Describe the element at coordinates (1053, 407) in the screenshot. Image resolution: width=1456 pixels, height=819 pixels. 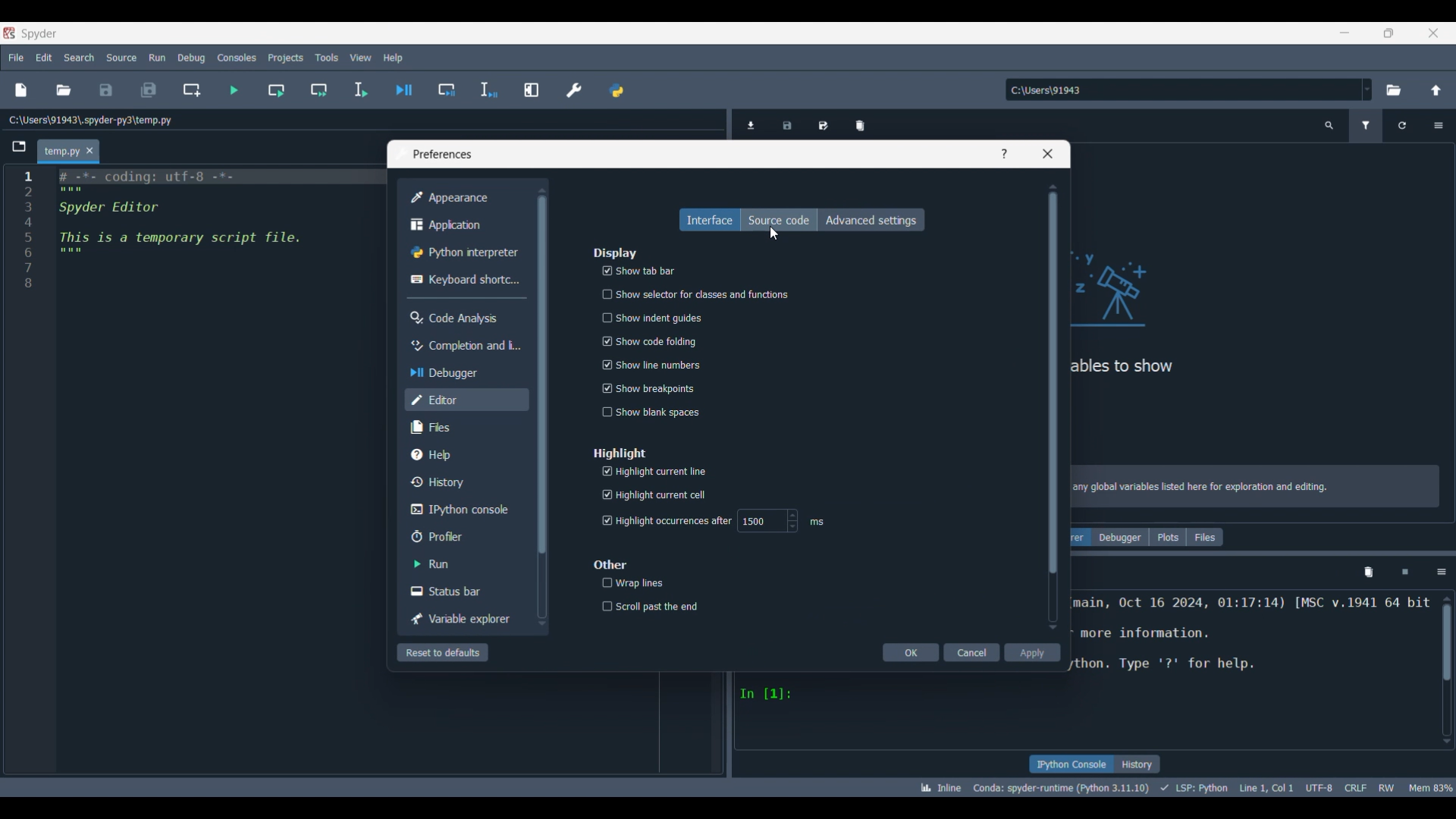
I see `Vertical slide bar` at that location.